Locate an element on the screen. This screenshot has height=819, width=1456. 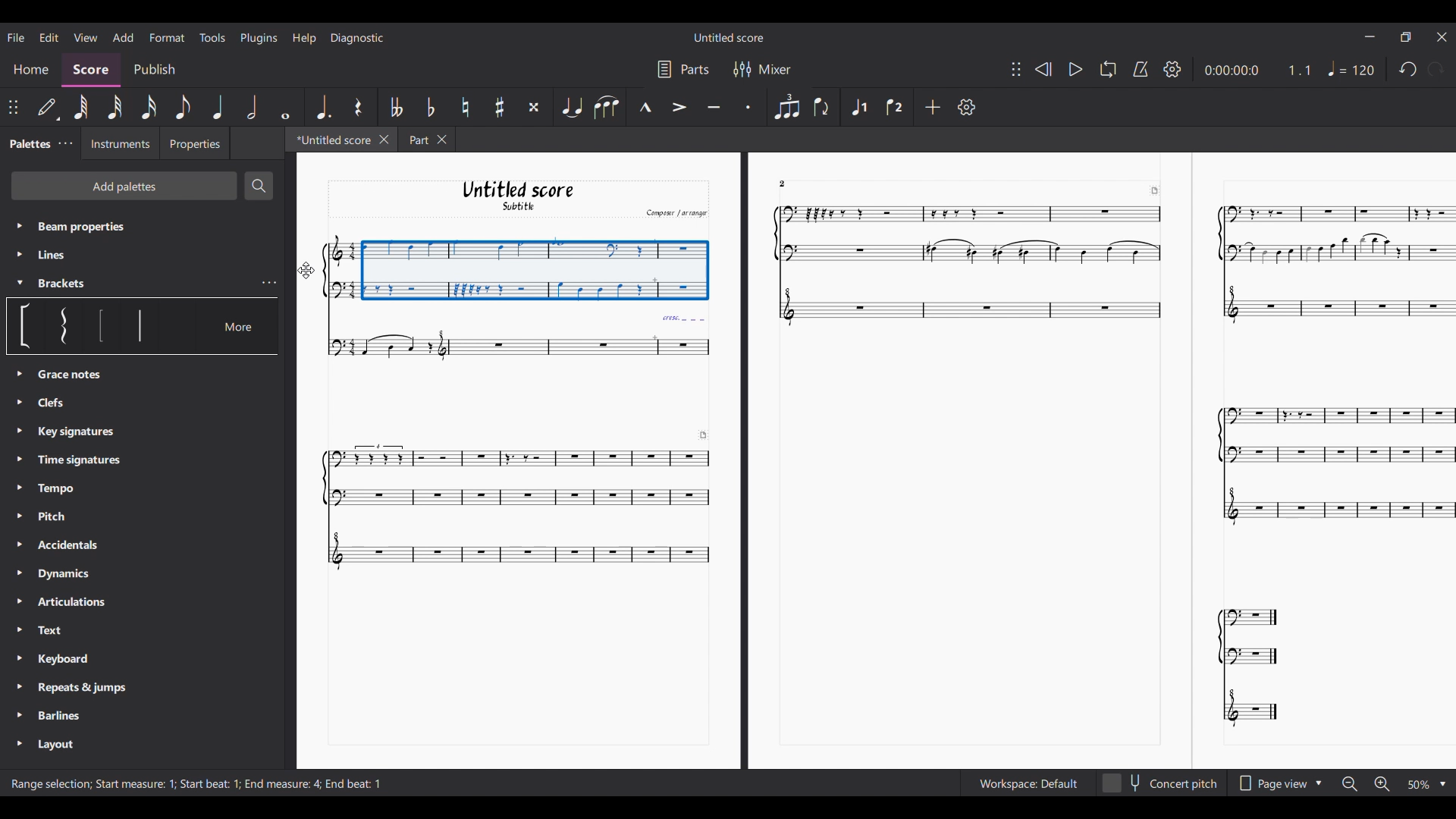
 is located at coordinates (521, 541).